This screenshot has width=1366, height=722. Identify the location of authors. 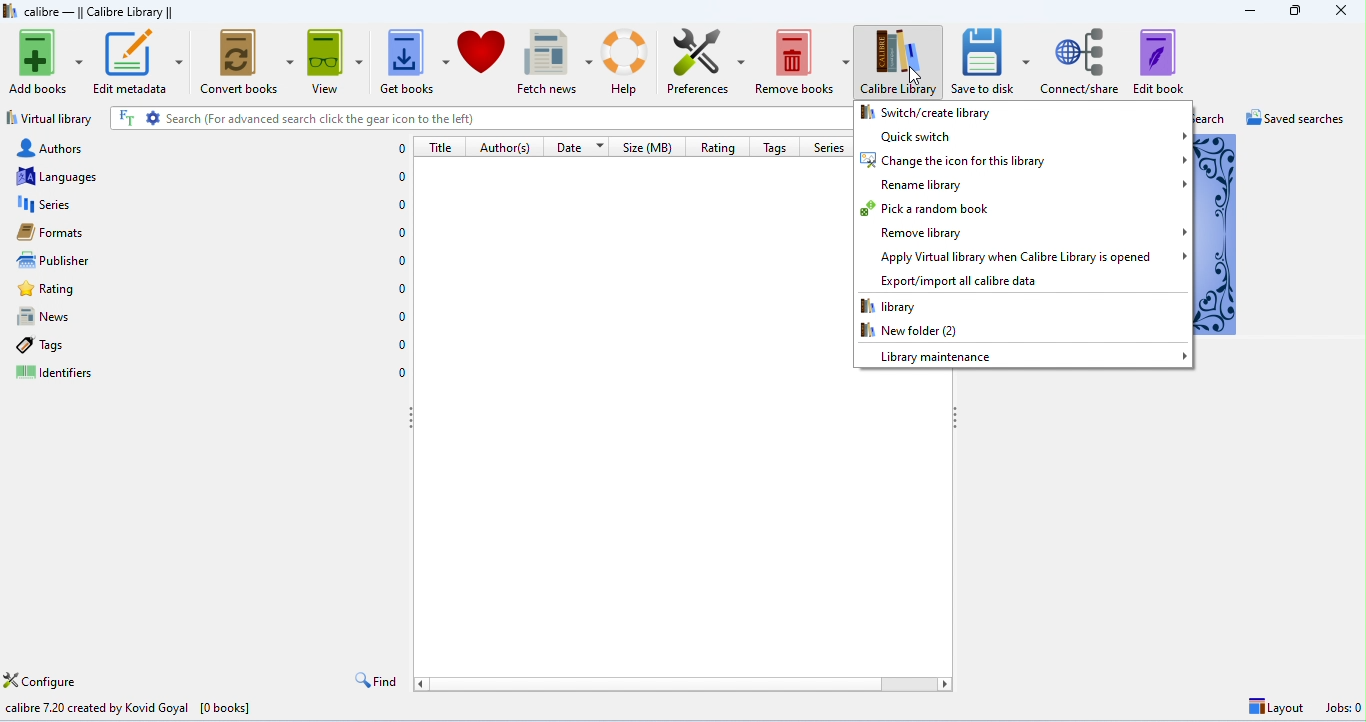
(210, 149).